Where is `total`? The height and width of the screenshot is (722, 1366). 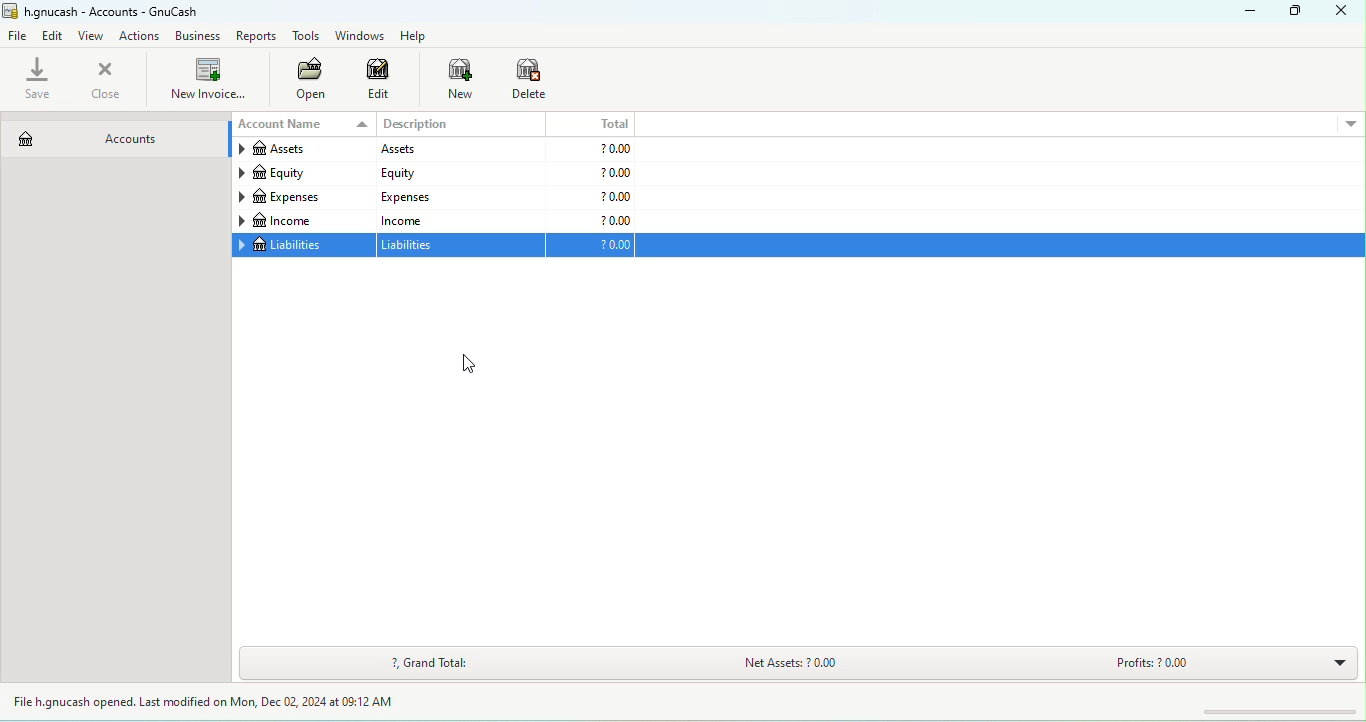
total is located at coordinates (592, 123).